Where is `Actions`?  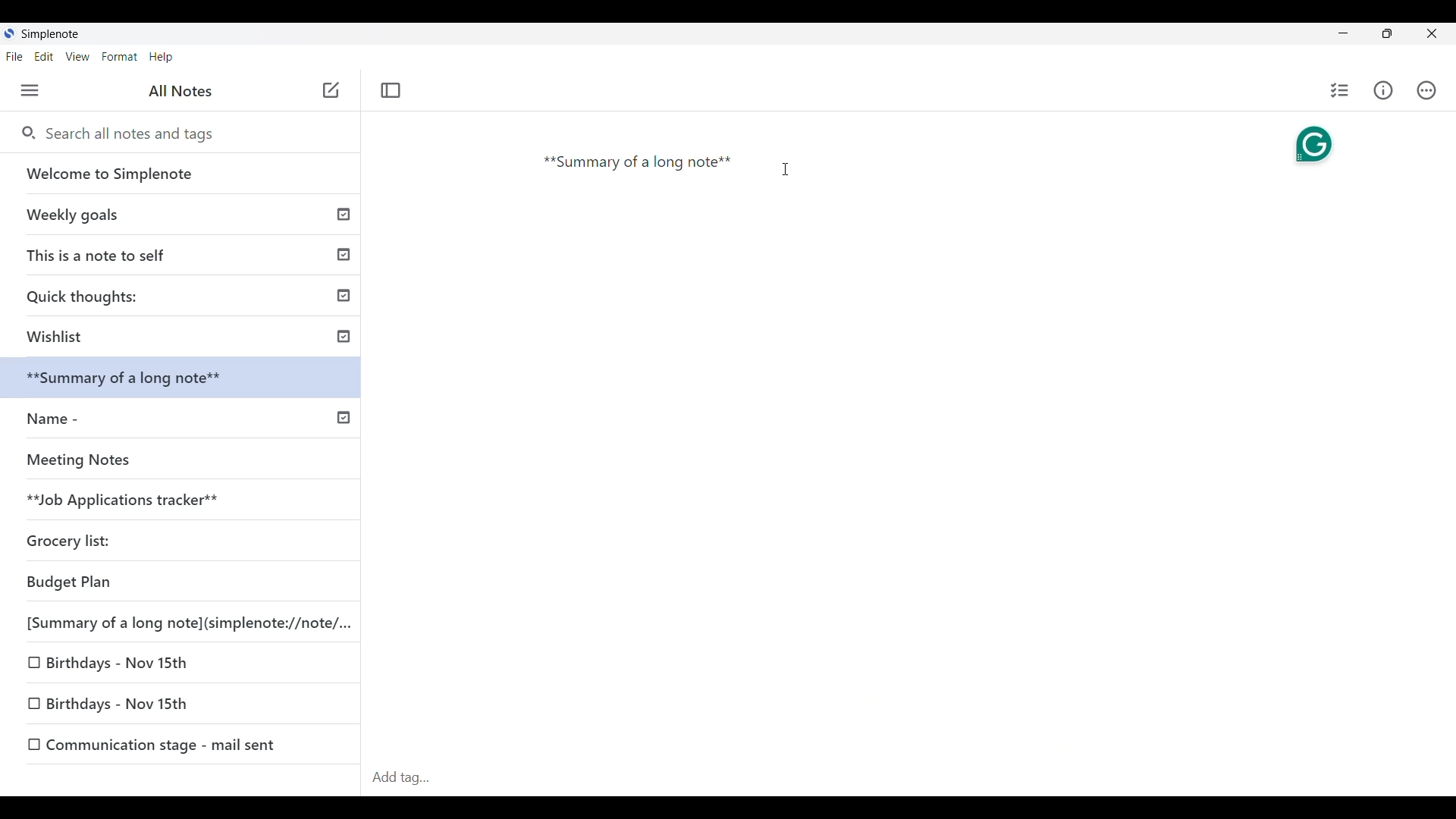 Actions is located at coordinates (1427, 90).